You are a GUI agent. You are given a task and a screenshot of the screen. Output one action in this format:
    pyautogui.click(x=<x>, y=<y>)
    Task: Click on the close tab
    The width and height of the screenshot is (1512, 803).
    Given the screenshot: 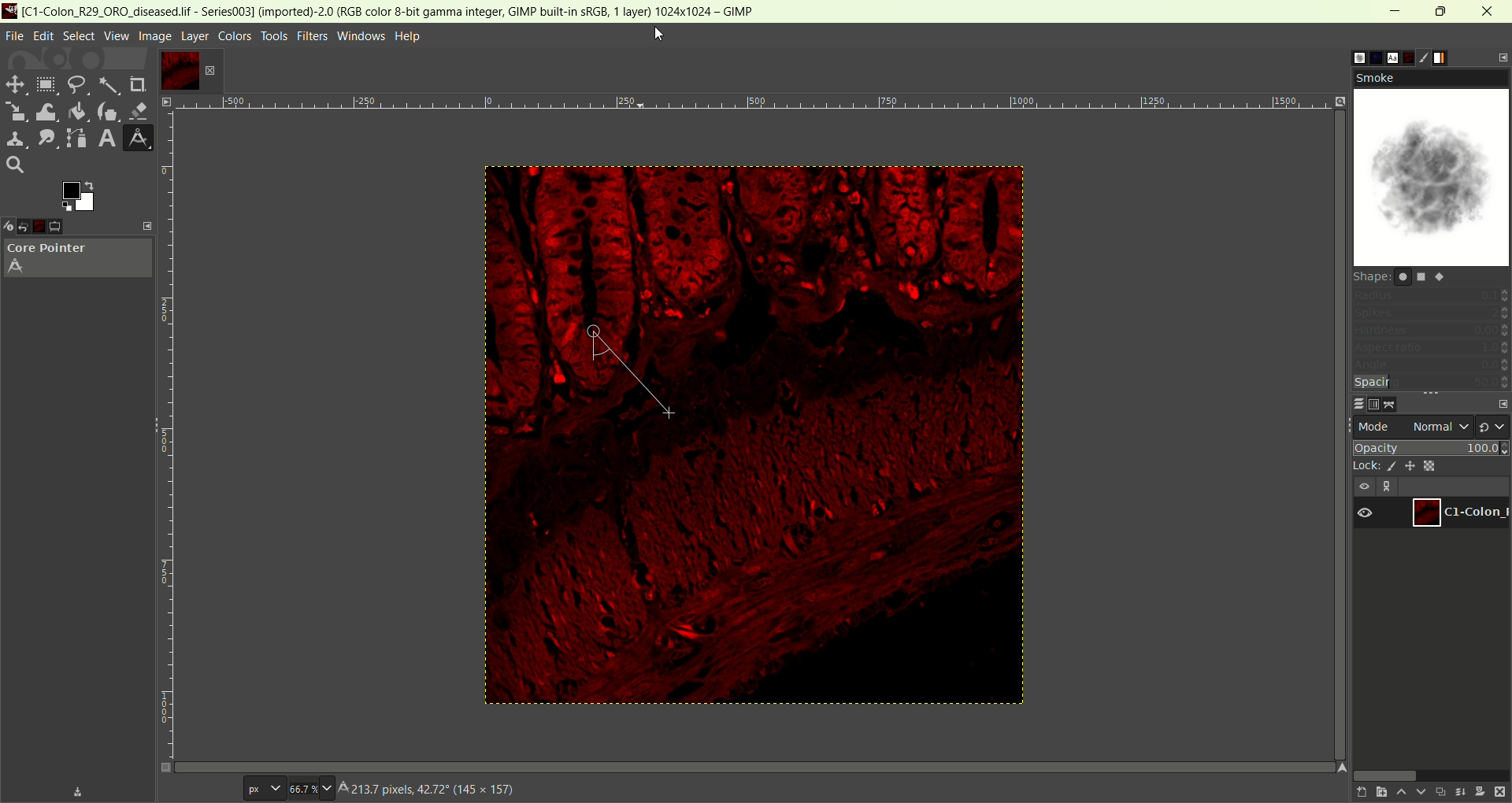 What is the action you would take?
    pyautogui.click(x=209, y=71)
    